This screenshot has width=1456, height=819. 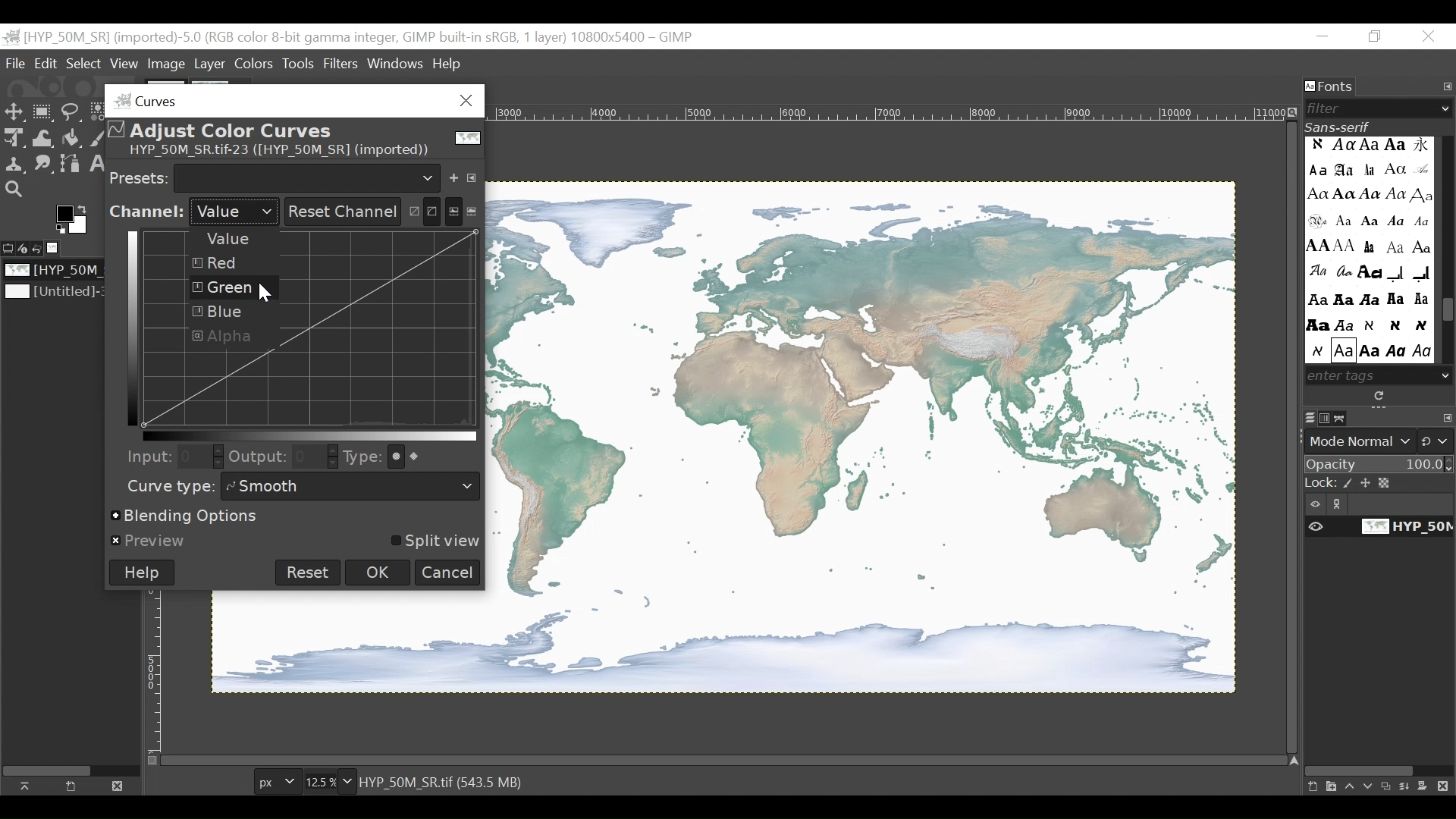 I want to click on Help, so click(x=142, y=573).